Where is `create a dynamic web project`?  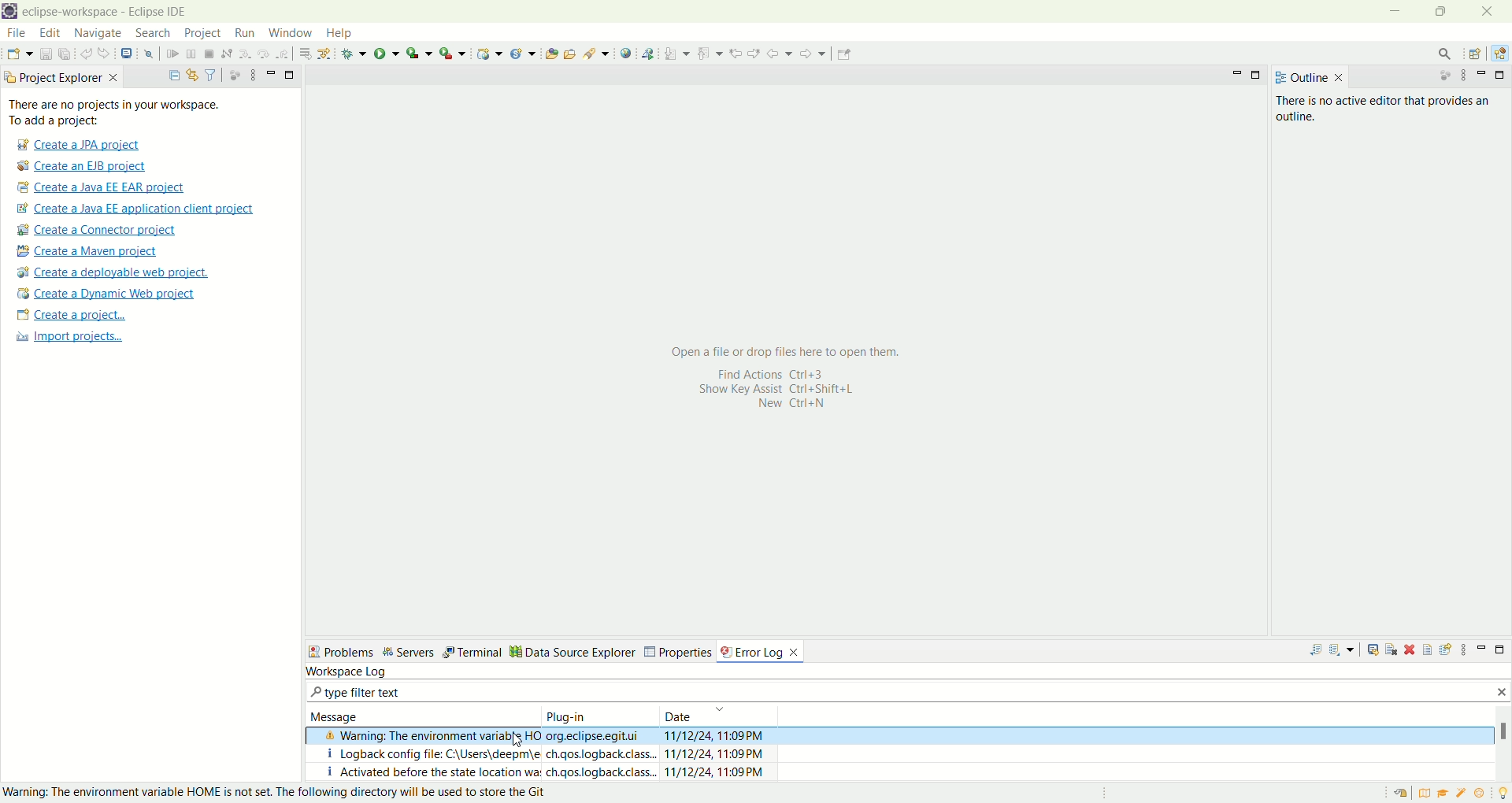 create a dynamic web project is located at coordinates (106, 294).